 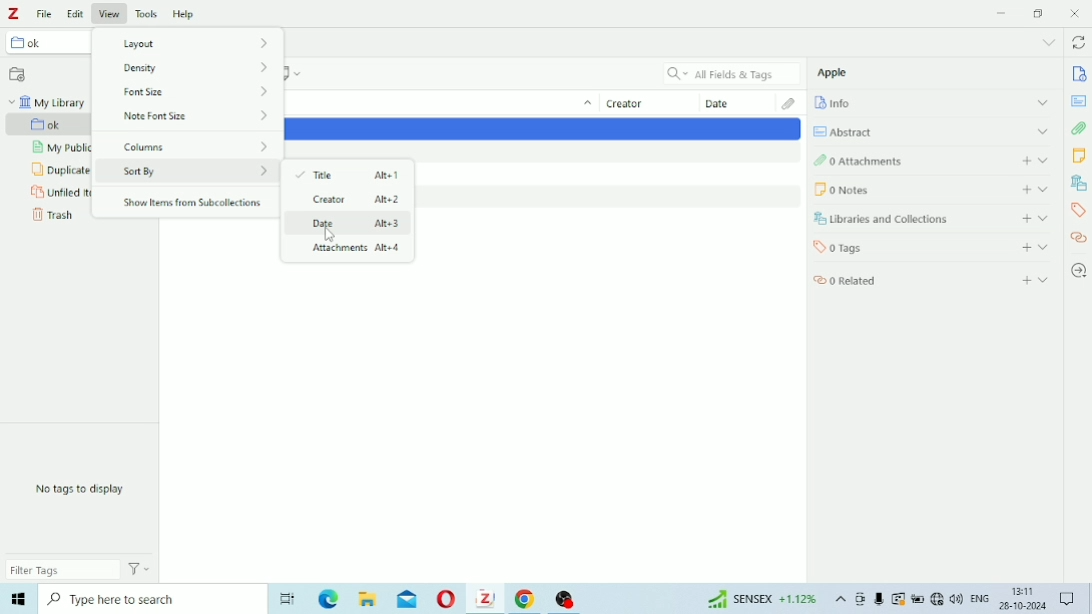 What do you see at coordinates (326, 601) in the screenshot?
I see `Edge browser` at bounding box center [326, 601].